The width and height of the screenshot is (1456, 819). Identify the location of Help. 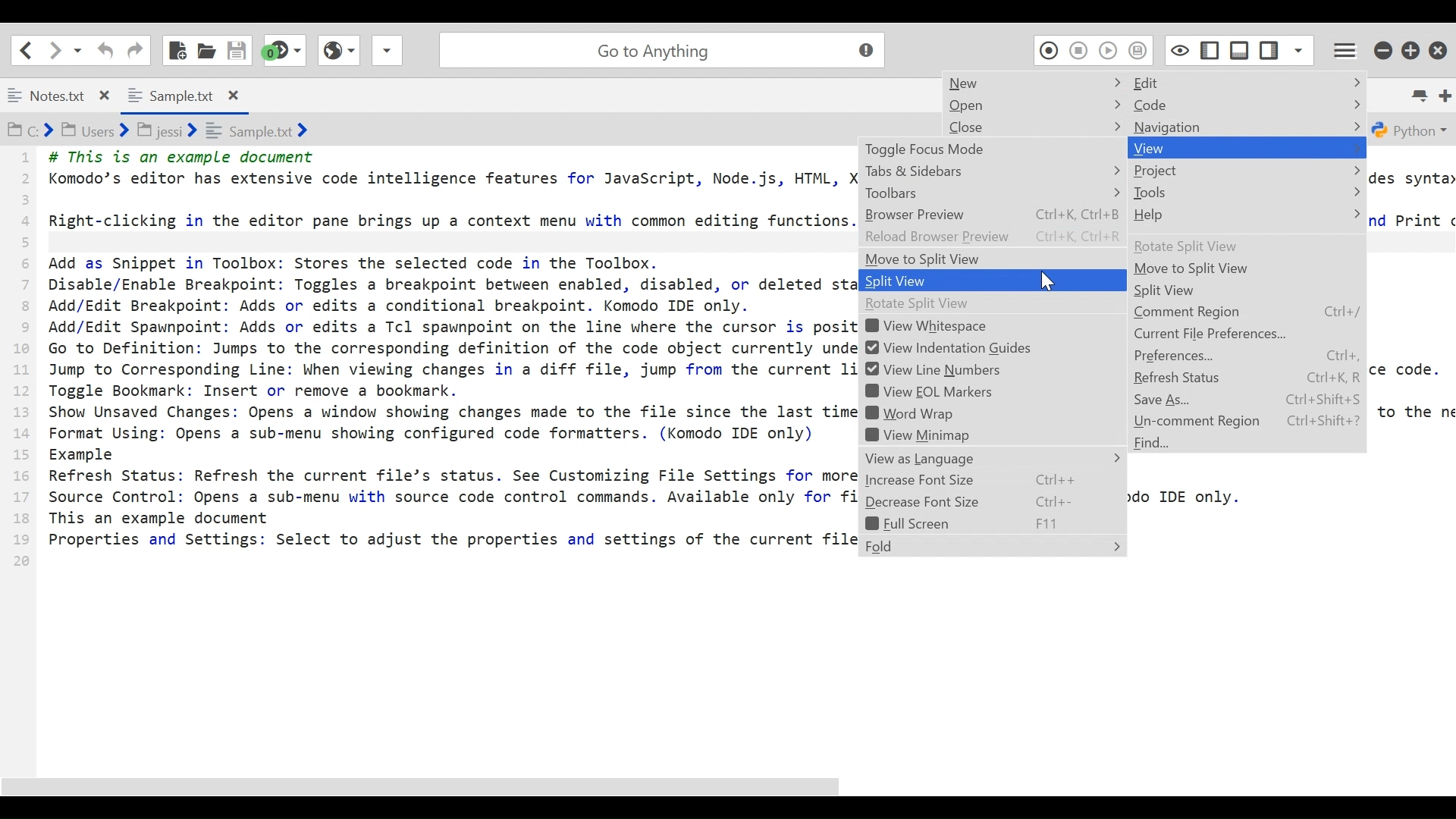
(1246, 215).